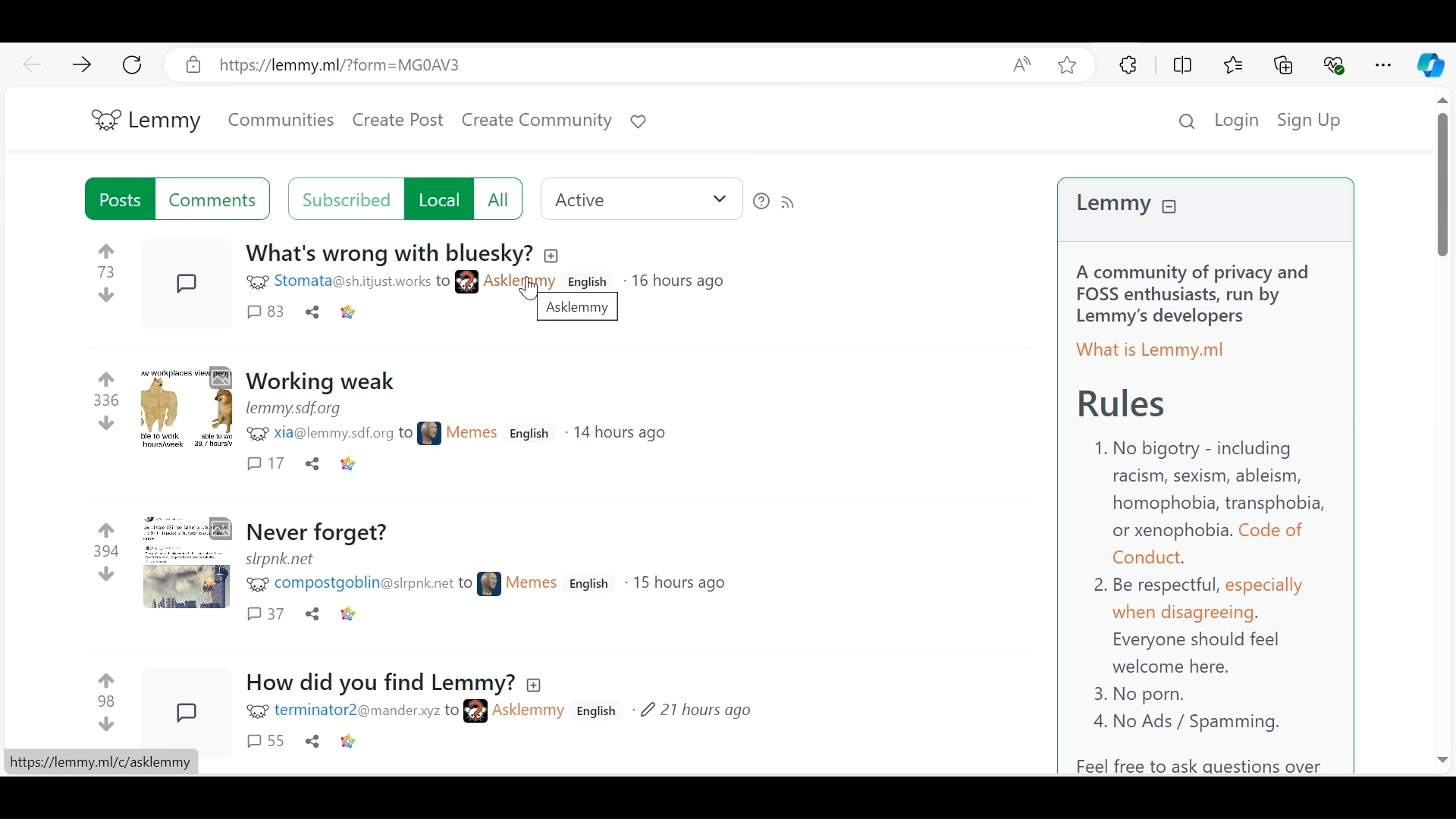 The height and width of the screenshot is (819, 1456). I want to click on login, so click(1239, 119).